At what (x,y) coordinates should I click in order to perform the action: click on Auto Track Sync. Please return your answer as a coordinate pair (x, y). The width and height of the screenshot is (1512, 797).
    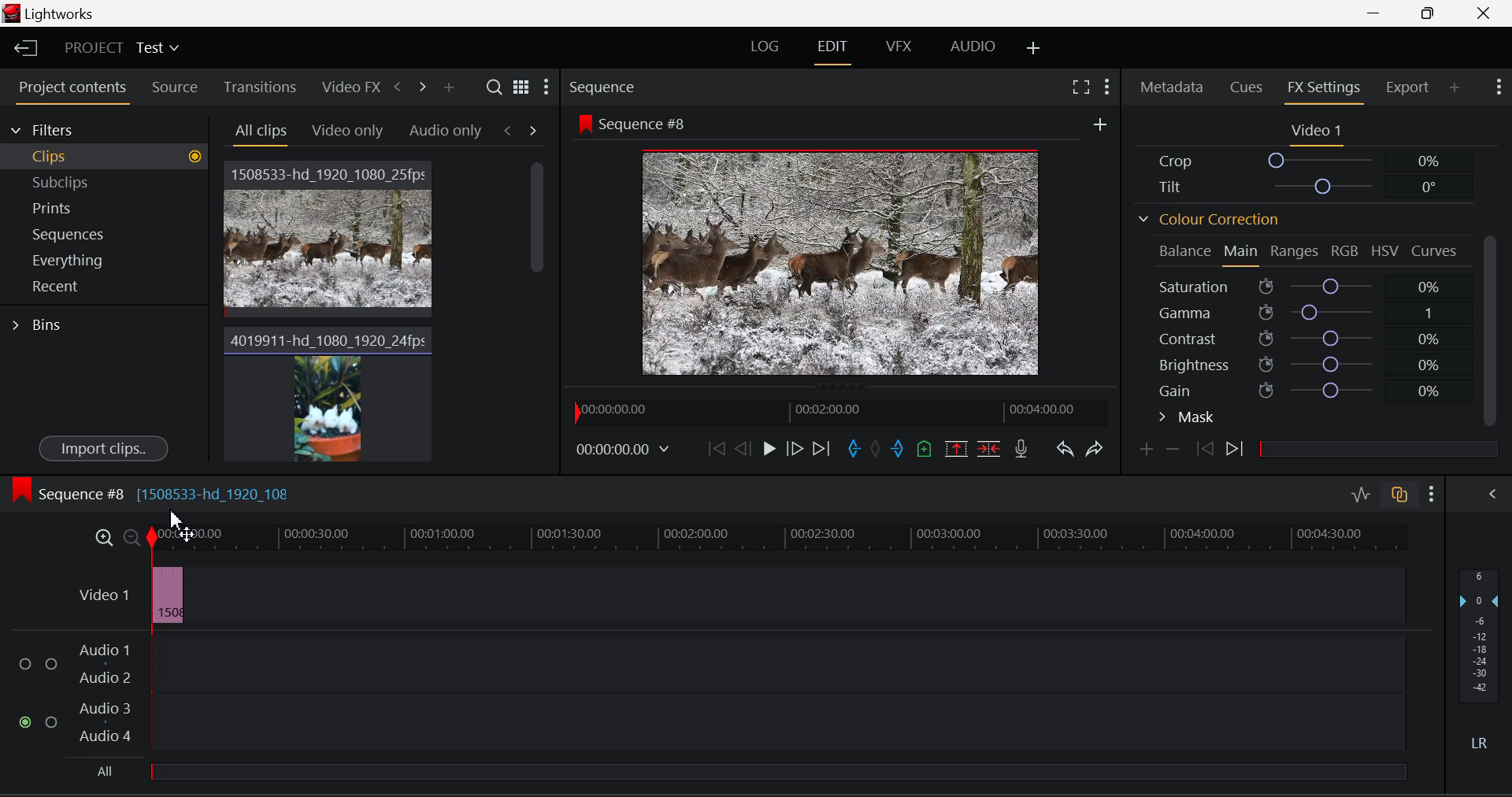
    Looking at the image, I should click on (1399, 496).